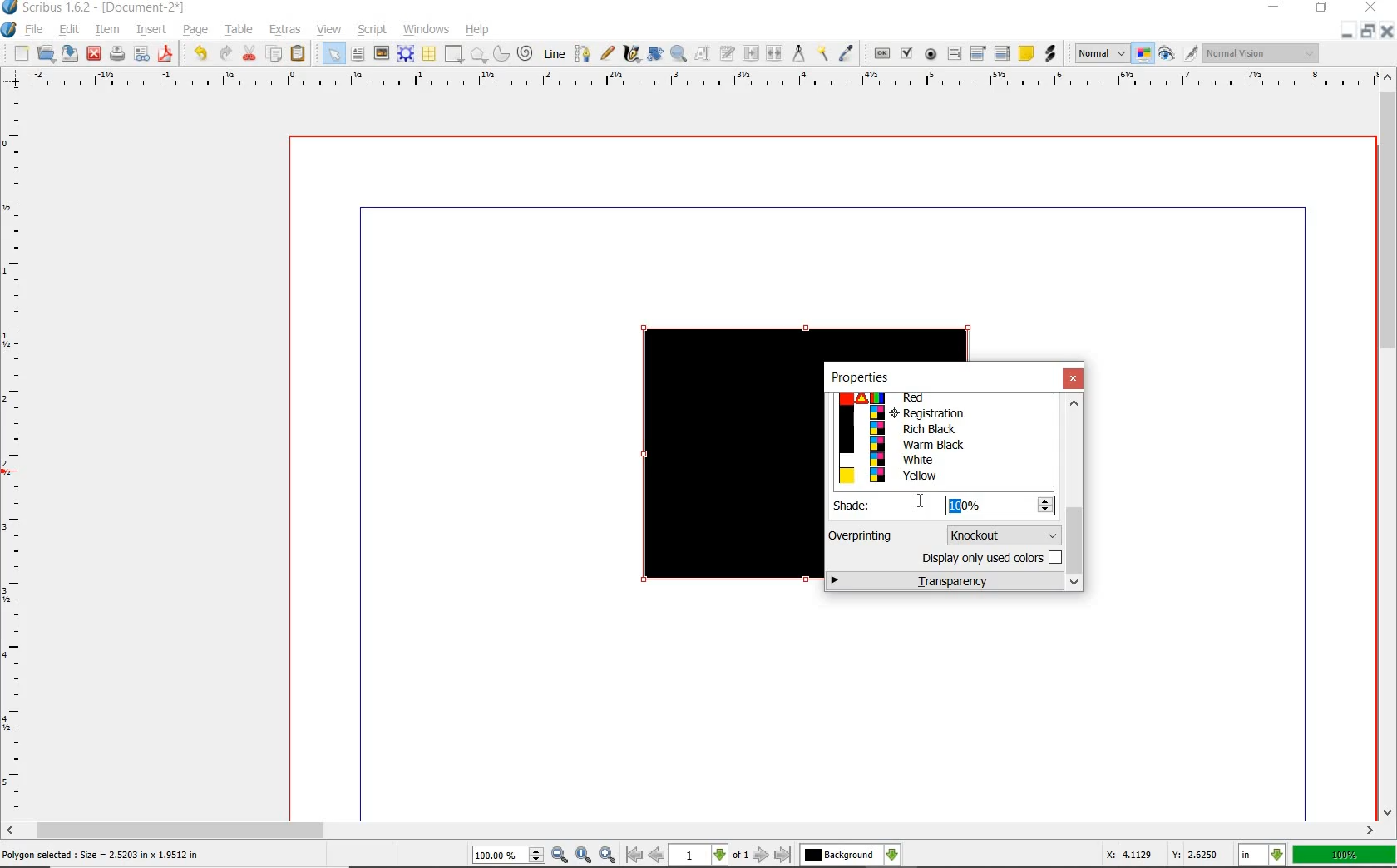 This screenshot has height=868, width=1397. What do you see at coordinates (978, 54) in the screenshot?
I see `pdf combo box` at bounding box center [978, 54].